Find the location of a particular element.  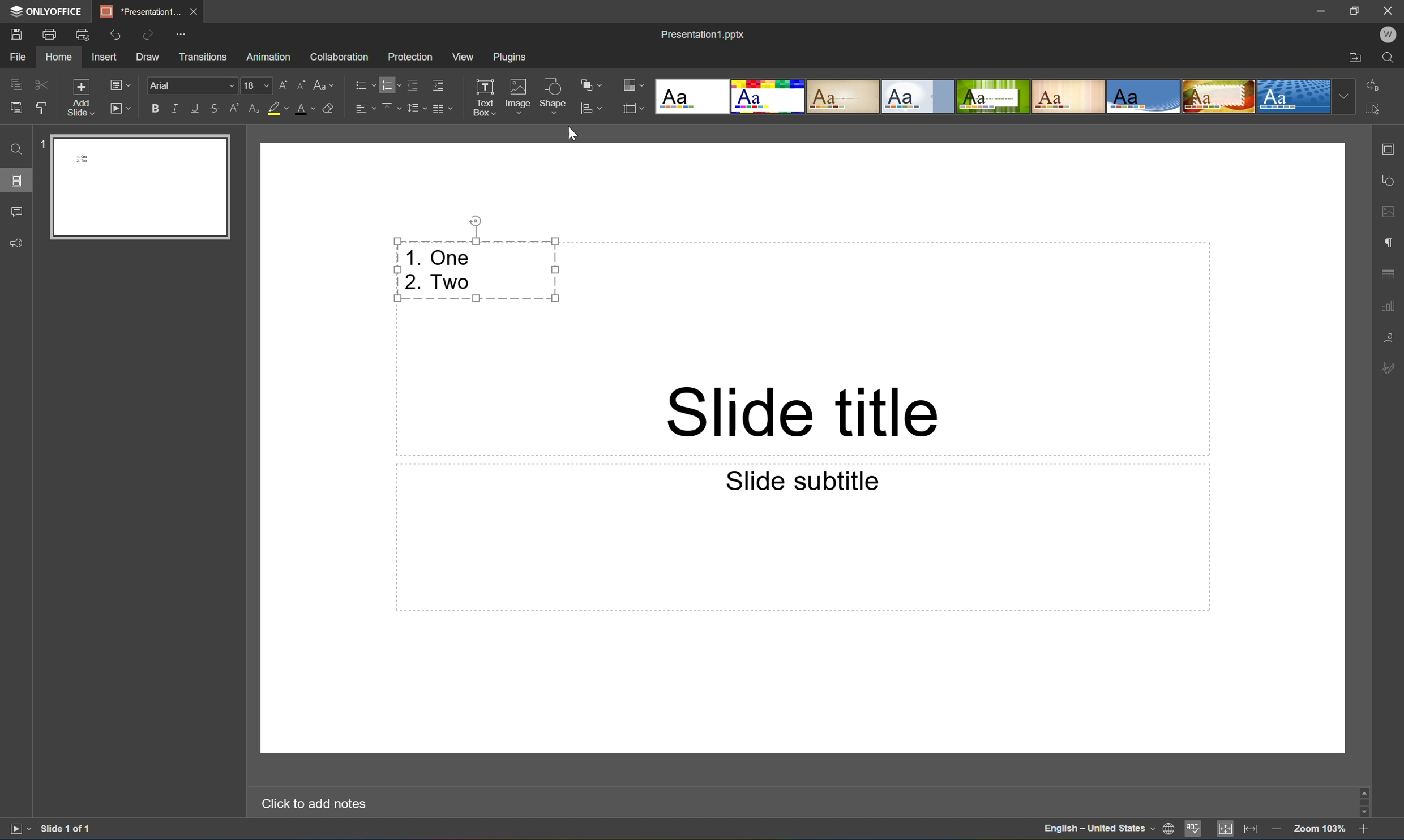

Increment font size is located at coordinates (288, 82).